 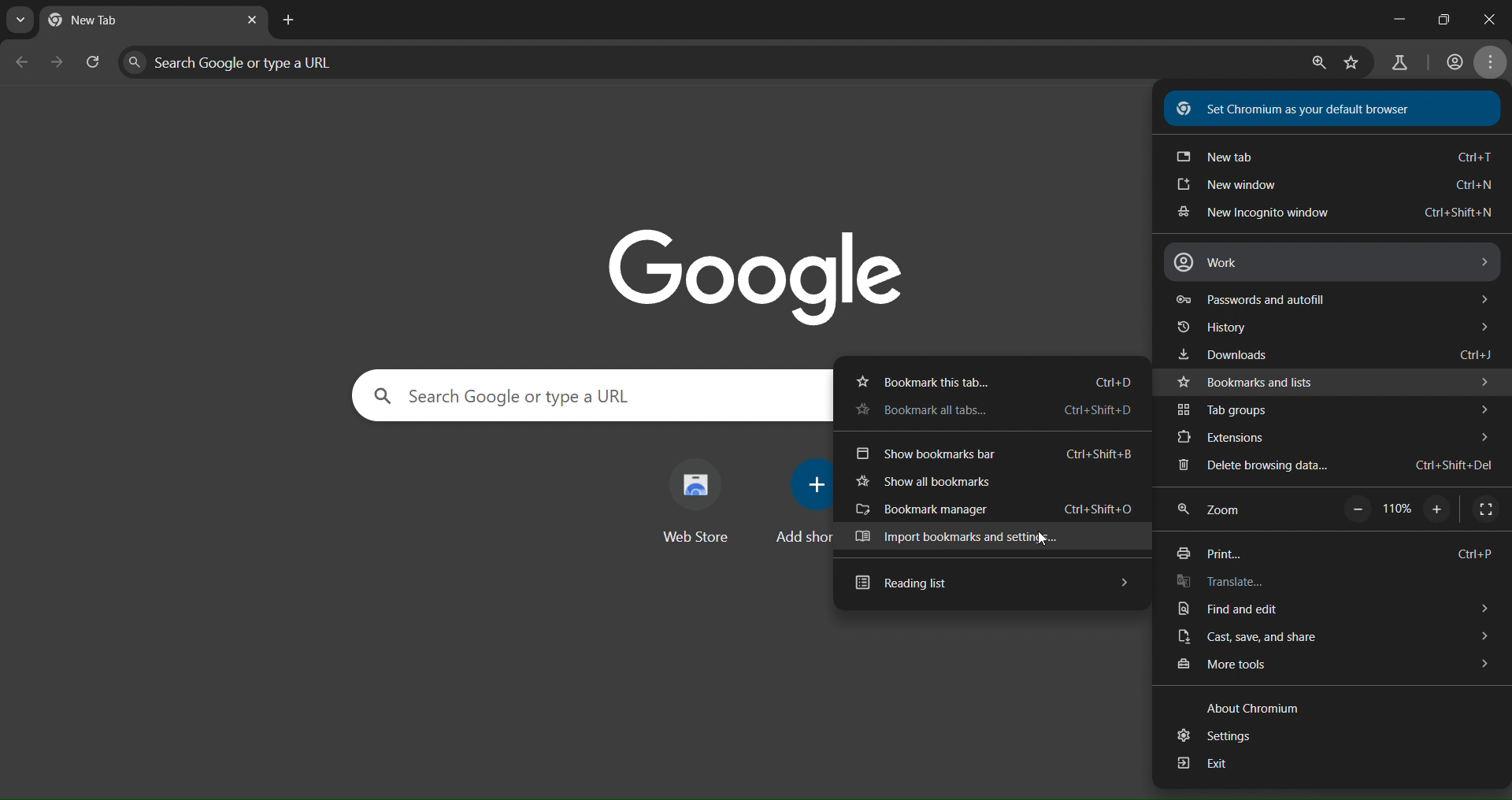 What do you see at coordinates (1497, 61) in the screenshot?
I see `menu` at bounding box center [1497, 61].